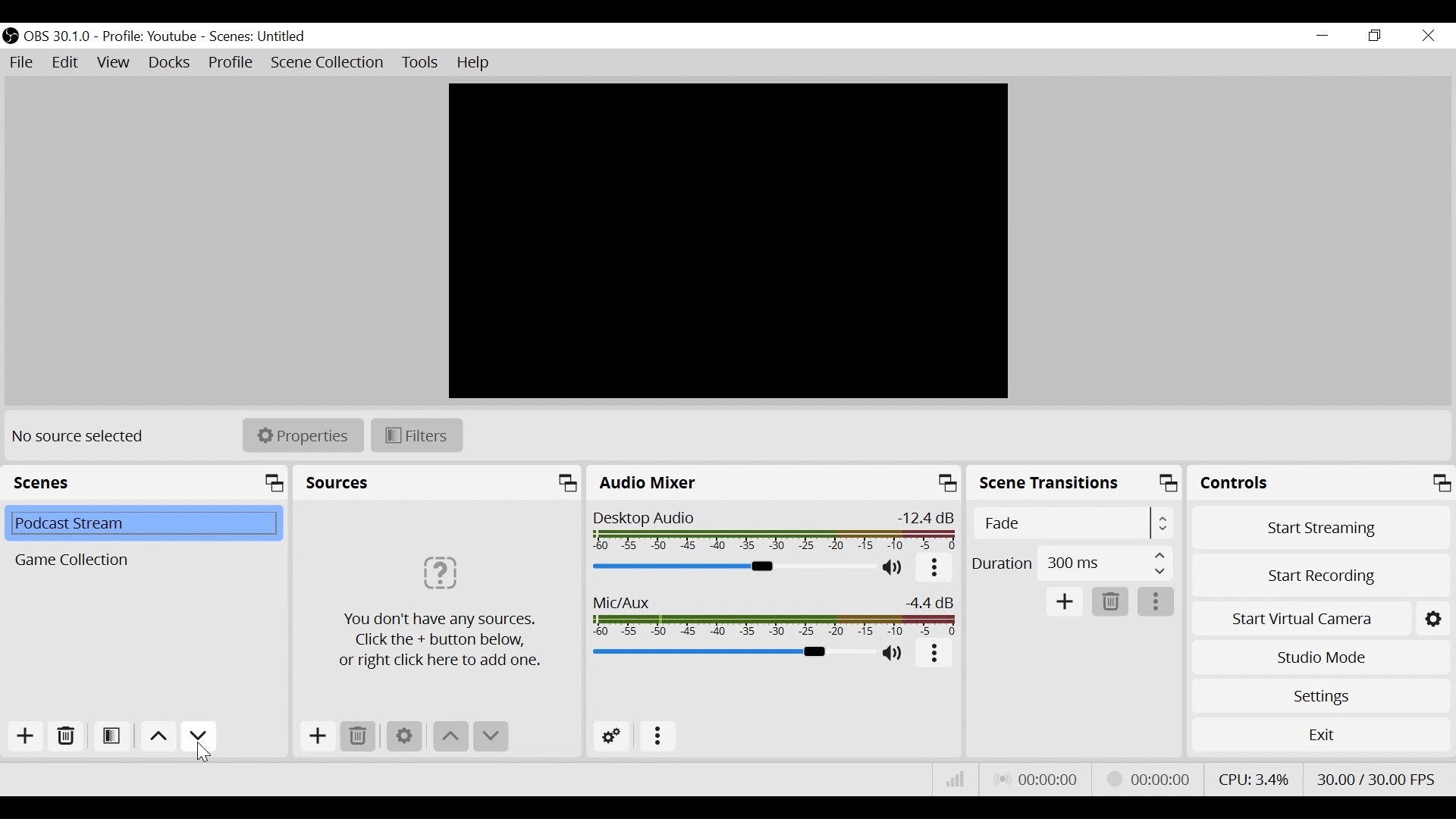 Image resolution: width=1456 pixels, height=819 pixels. What do you see at coordinates (775, 532) in the screenshot?
I see `Desktop Audio` at bounding box center [775, 532].